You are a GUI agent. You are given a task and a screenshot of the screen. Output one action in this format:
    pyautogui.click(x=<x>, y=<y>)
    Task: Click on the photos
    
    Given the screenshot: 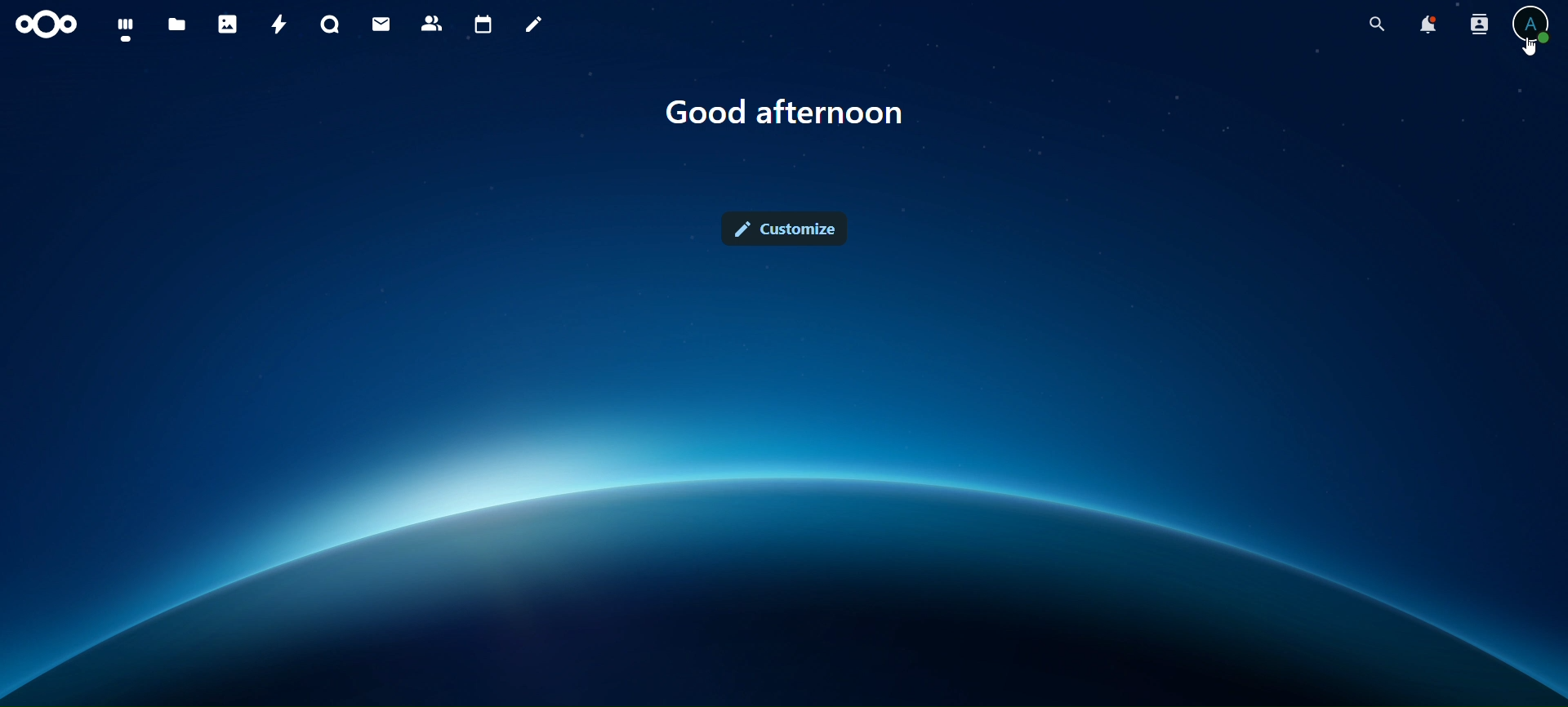 What is the action you would take?
    pyautogui.click(x=225, y=23)
    